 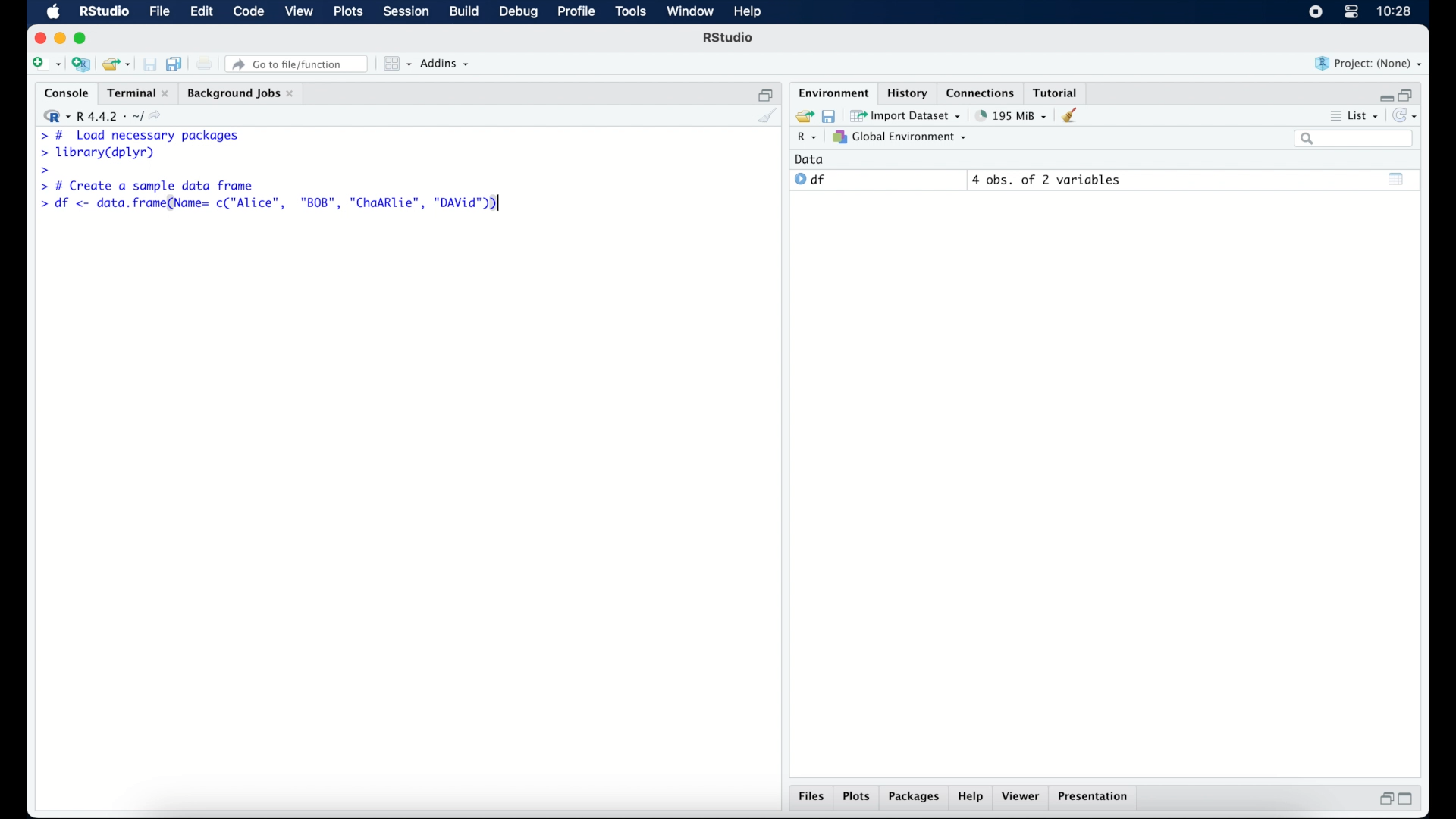 I want to click on 10.27, so click(x=1394, y=11).